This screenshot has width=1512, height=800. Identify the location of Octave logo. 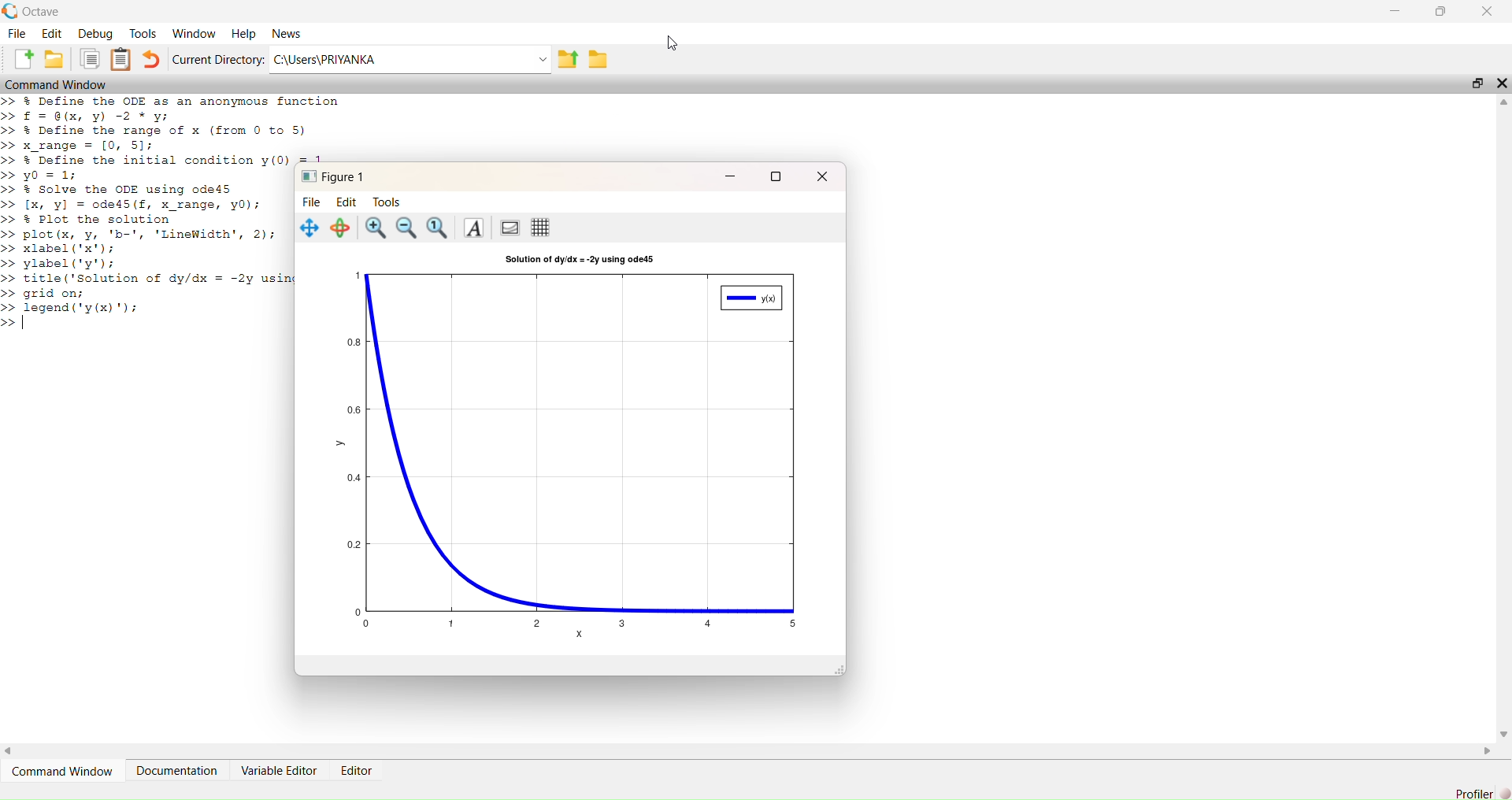
(10, 11).